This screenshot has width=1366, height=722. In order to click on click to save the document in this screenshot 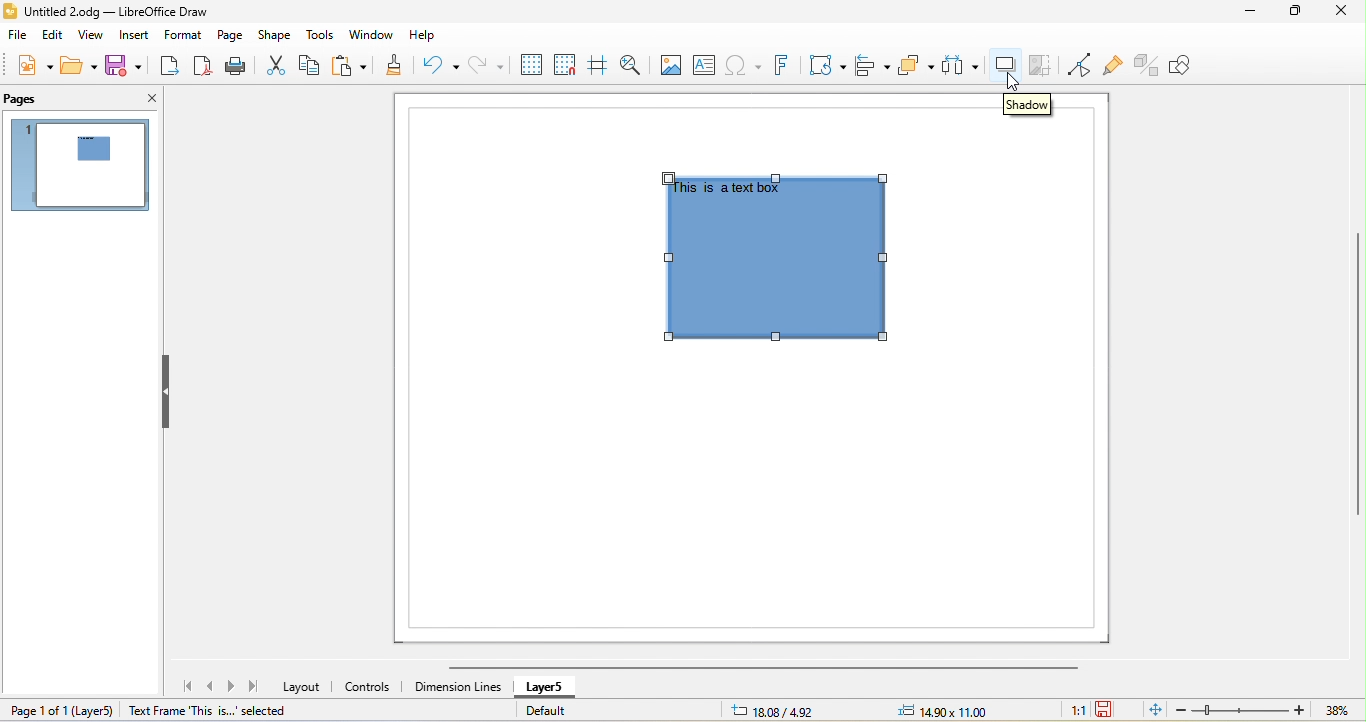, I will do `click(1104, 710)`.